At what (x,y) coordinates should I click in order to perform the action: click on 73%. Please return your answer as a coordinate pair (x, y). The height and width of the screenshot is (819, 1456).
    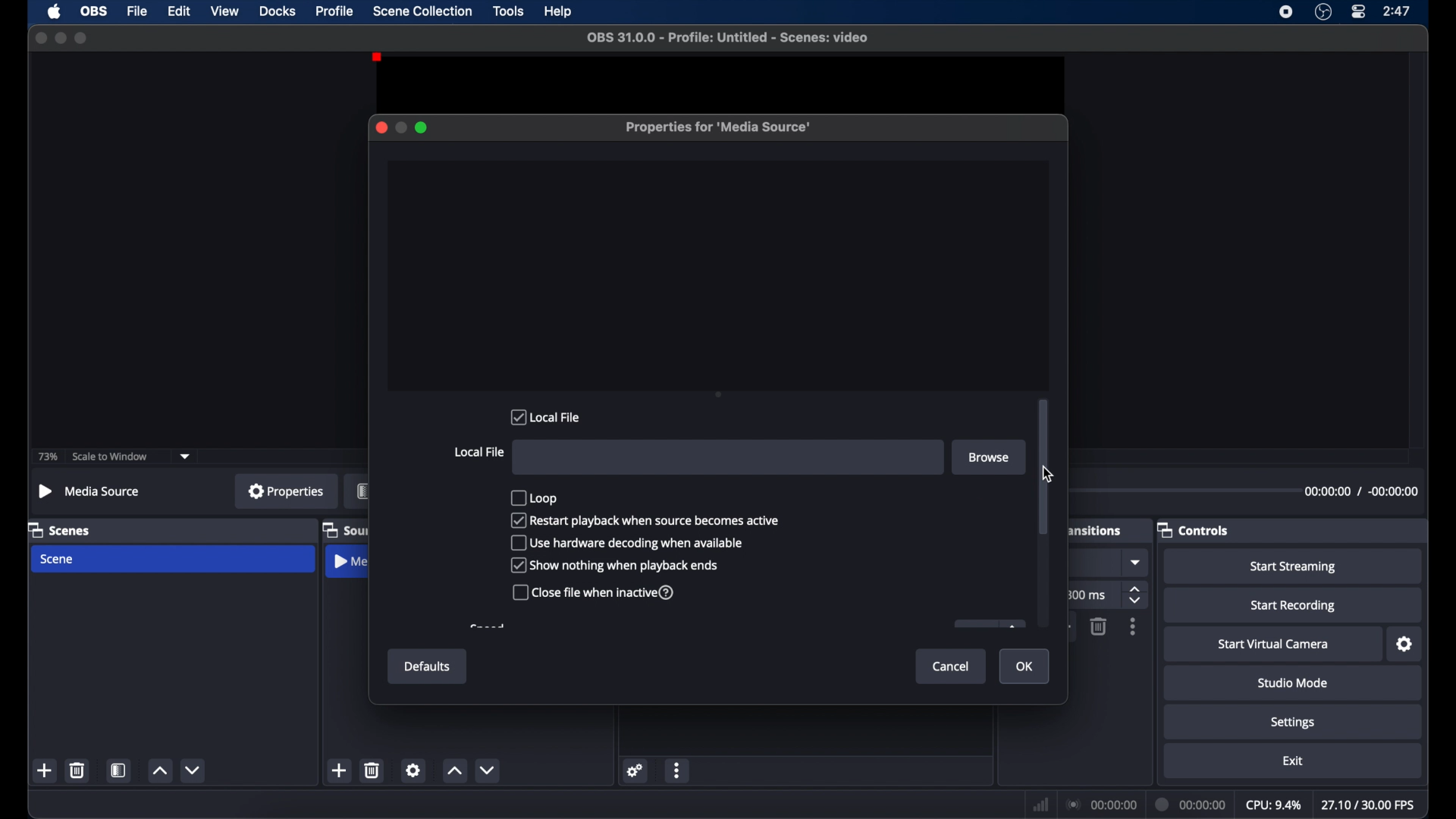
    Looking at the image, I should click on (49, 457).